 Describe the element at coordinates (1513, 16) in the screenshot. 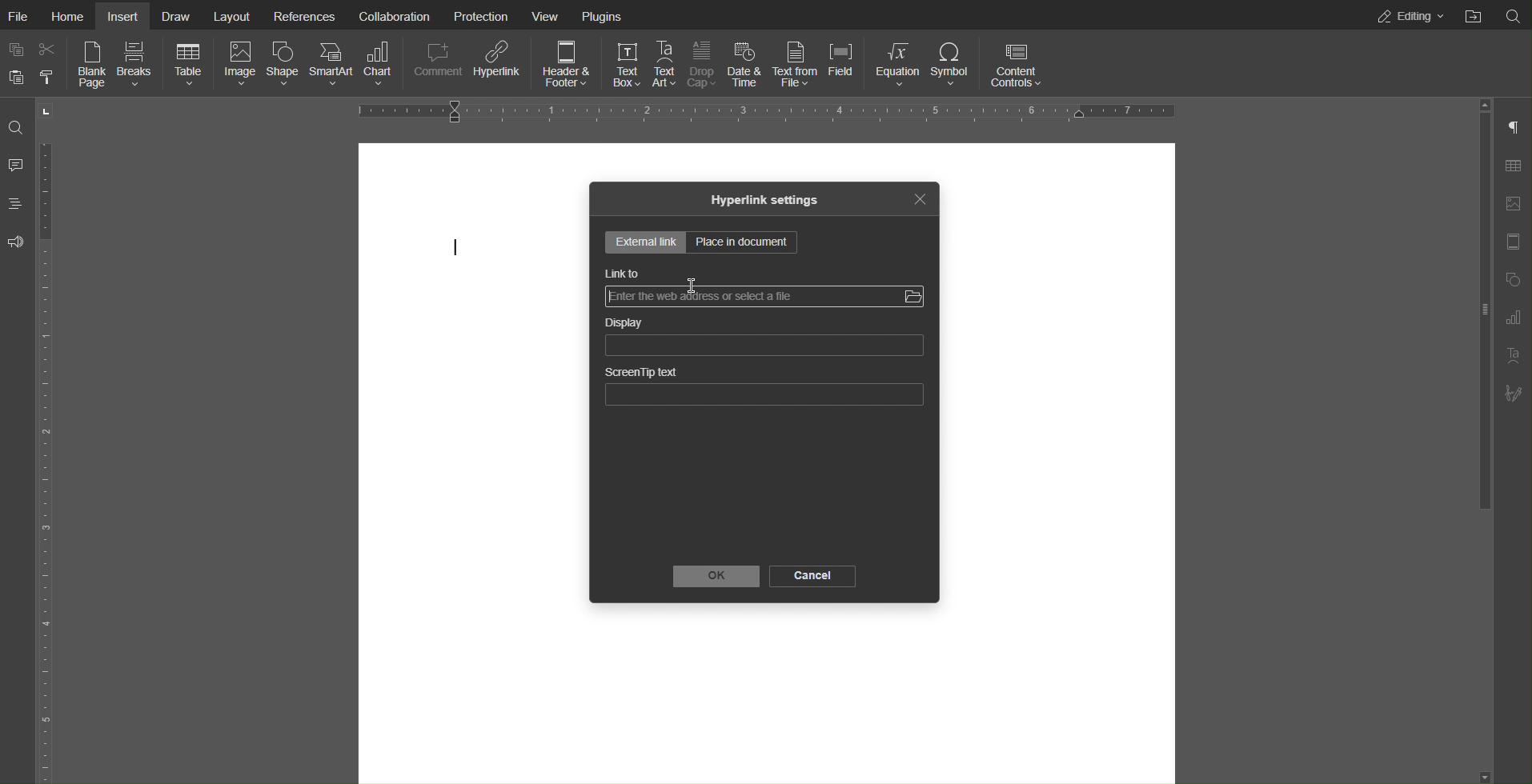

I see `Search` at that location.